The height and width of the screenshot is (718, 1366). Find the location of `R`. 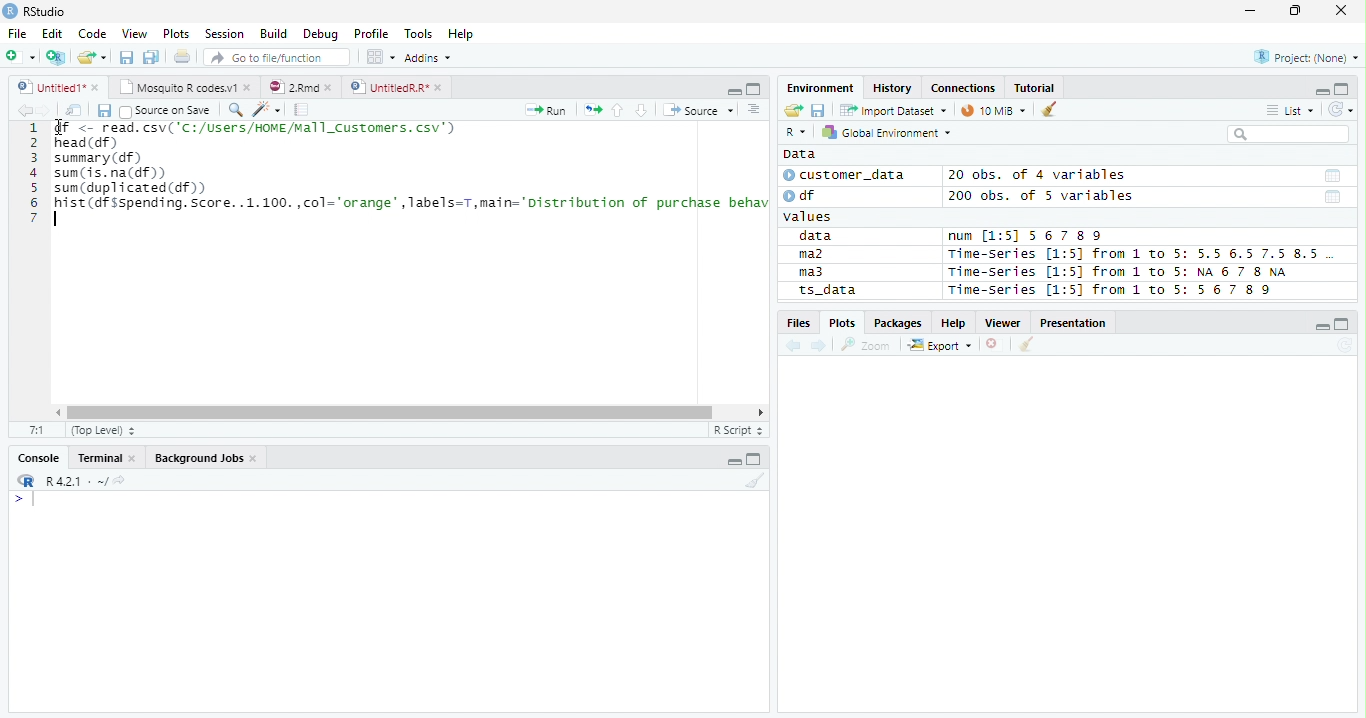

R is located at coordinates (24, 481).